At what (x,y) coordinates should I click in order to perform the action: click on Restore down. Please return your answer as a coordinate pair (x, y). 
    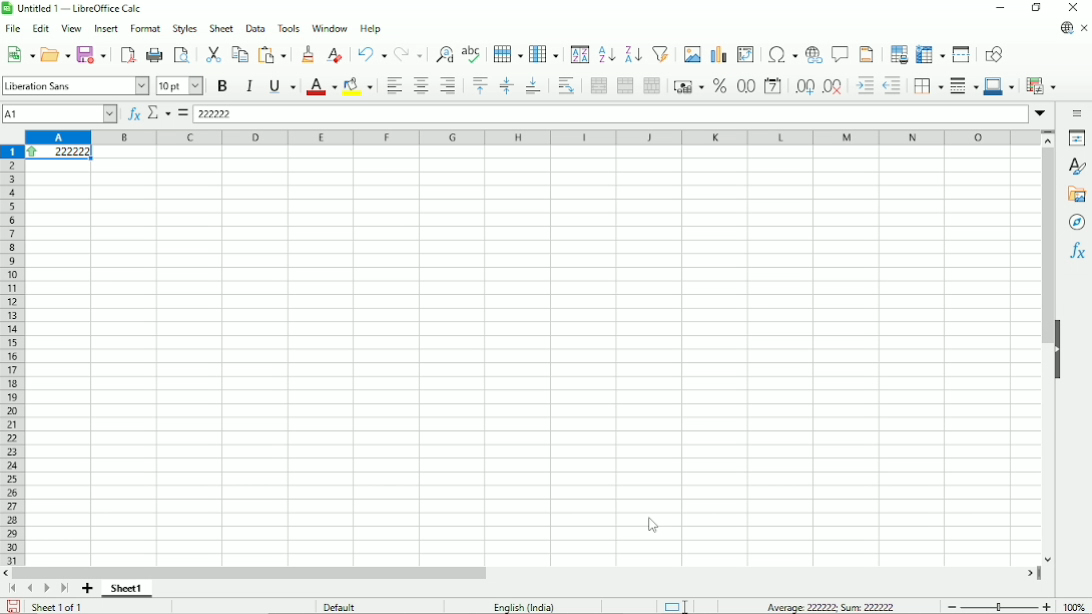
    Looking at the image, I should click on (1035, 8).